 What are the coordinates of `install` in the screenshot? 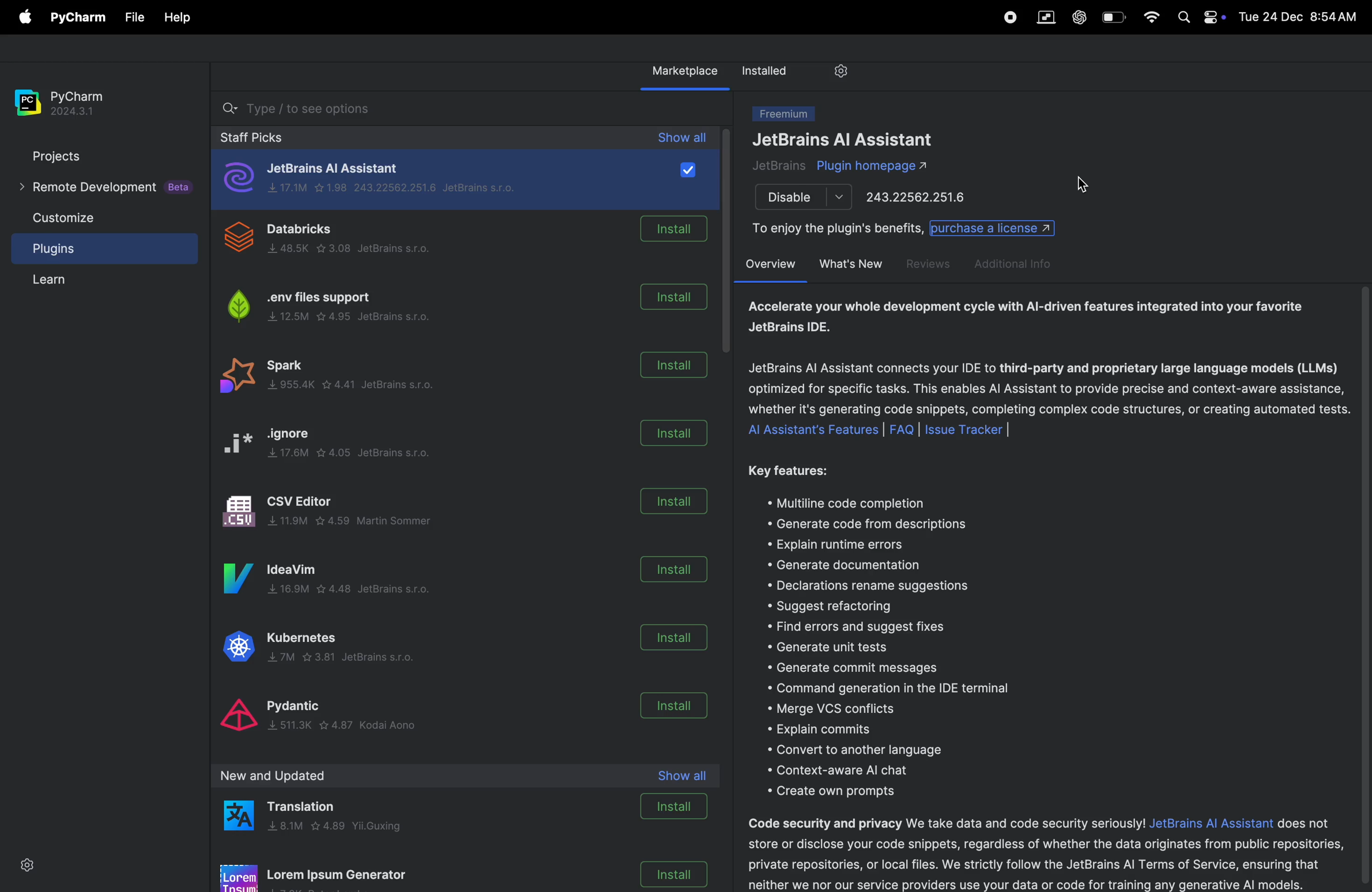 It's located at (677, 372).